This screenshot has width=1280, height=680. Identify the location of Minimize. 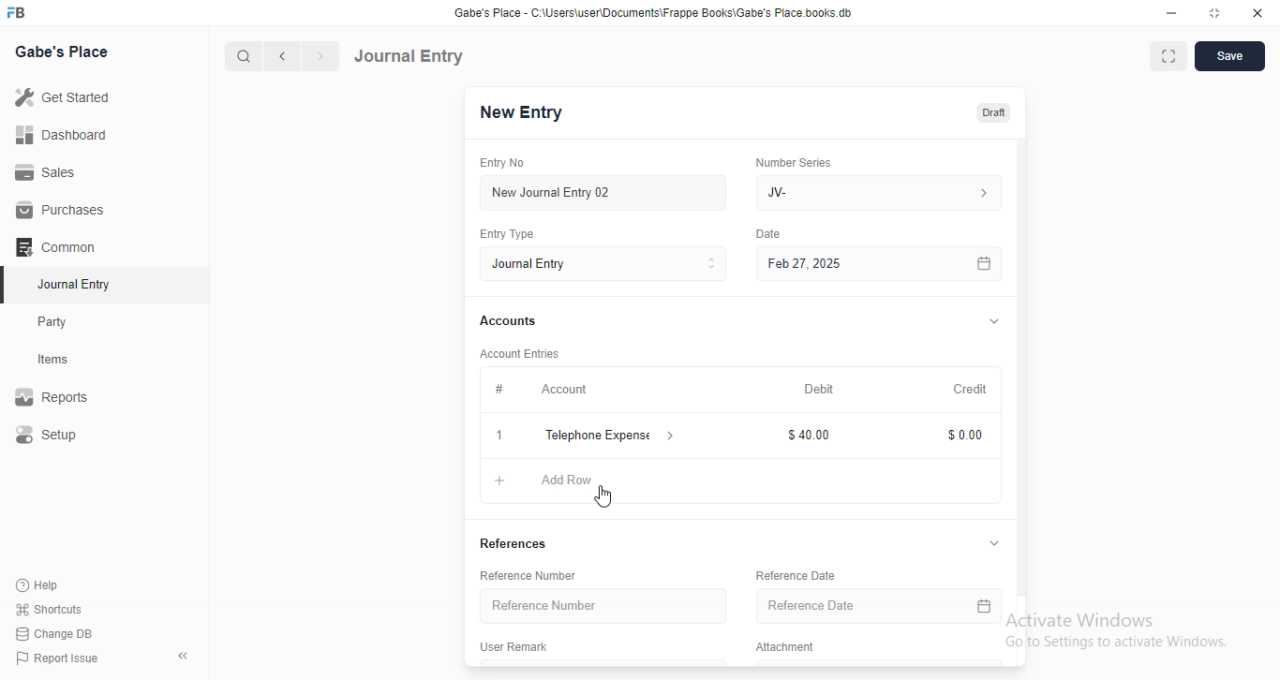
(1170, 12).